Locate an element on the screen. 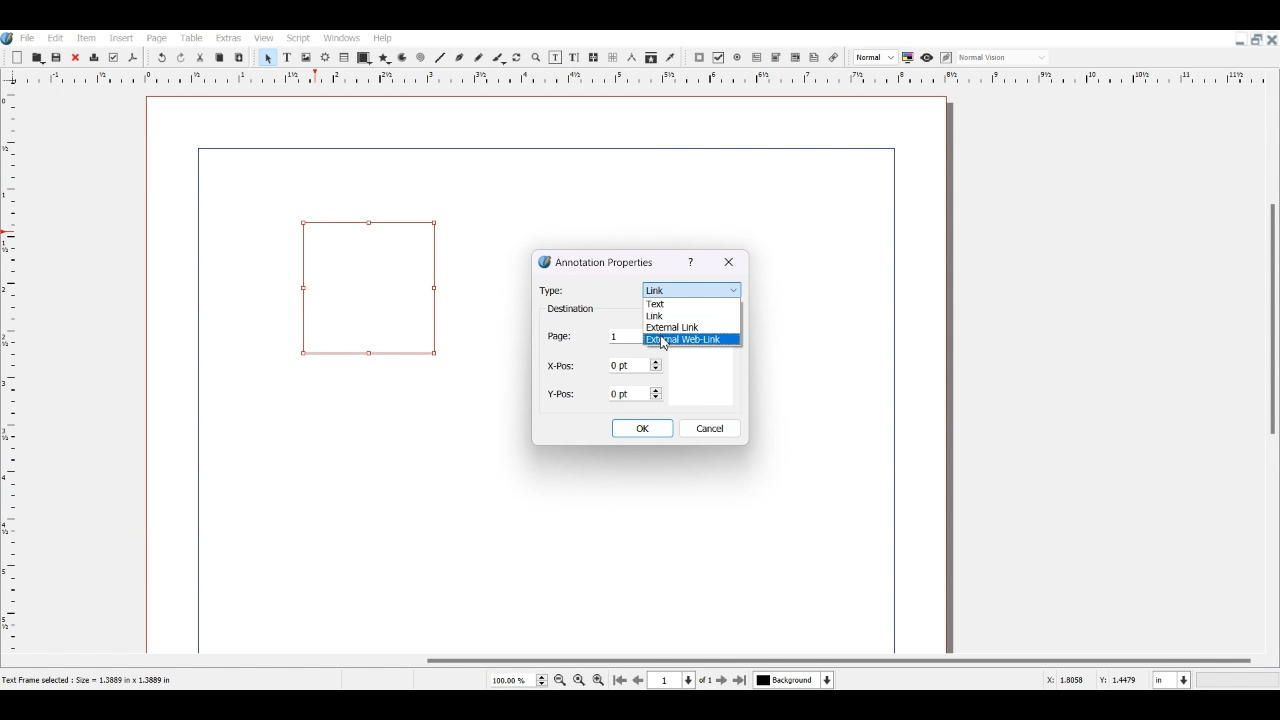 The height and width of the screenshot is (720, 1280). Text Frame is located at coordinates (287, 57).